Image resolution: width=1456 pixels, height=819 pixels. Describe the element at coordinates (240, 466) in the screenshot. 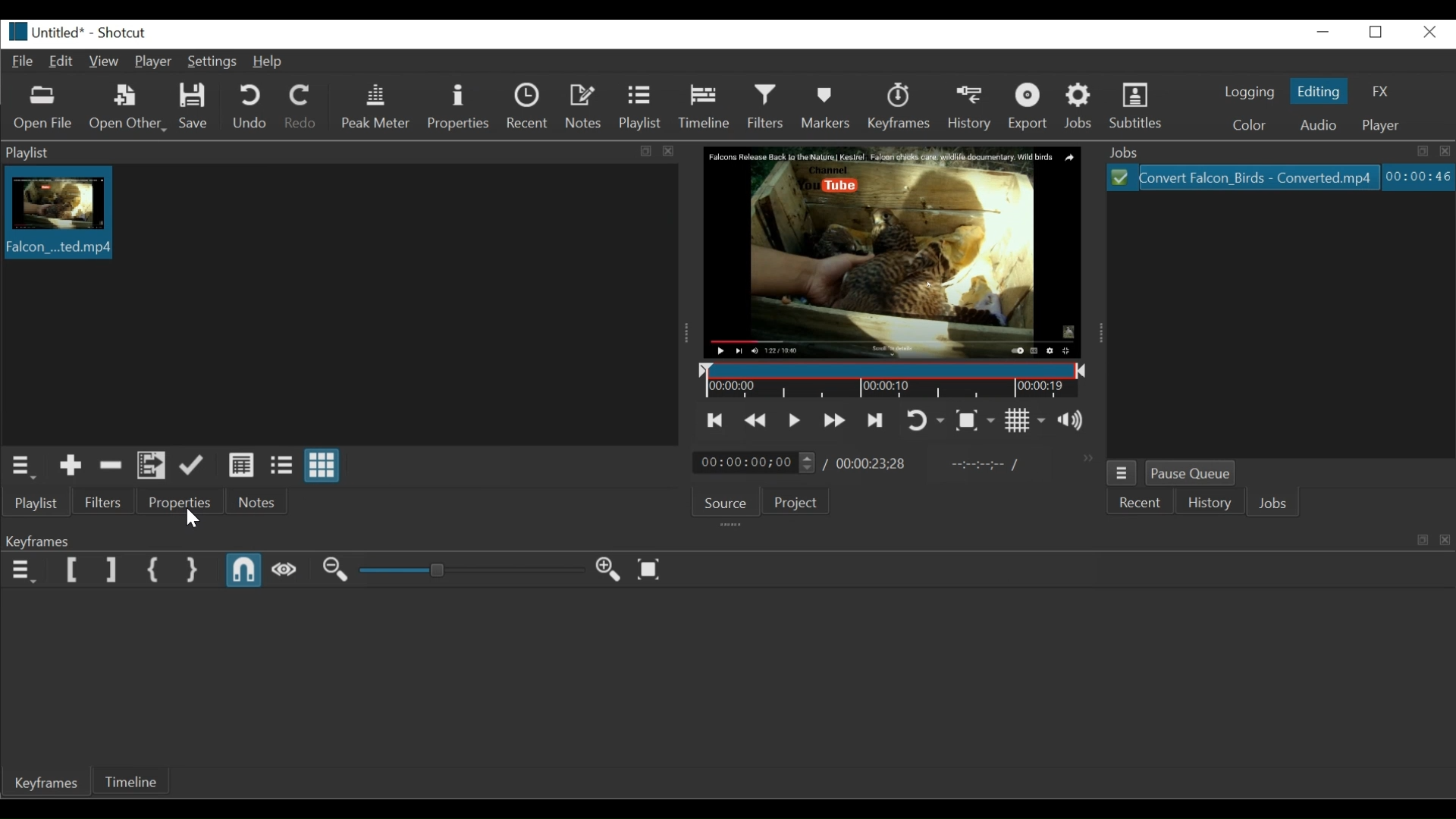

I see `View as details` at that location.